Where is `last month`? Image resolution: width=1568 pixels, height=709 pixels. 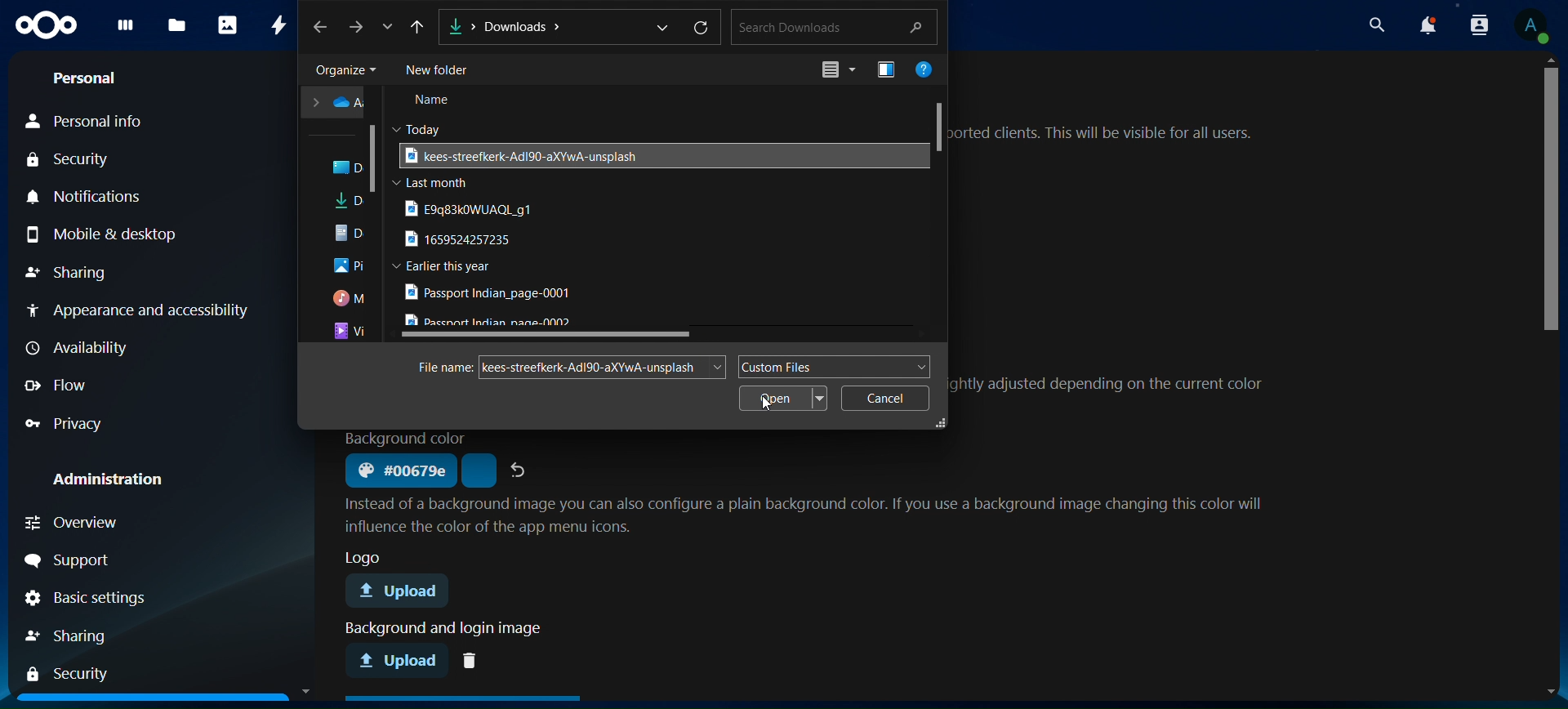 last month is located at coordinates (433, 183).